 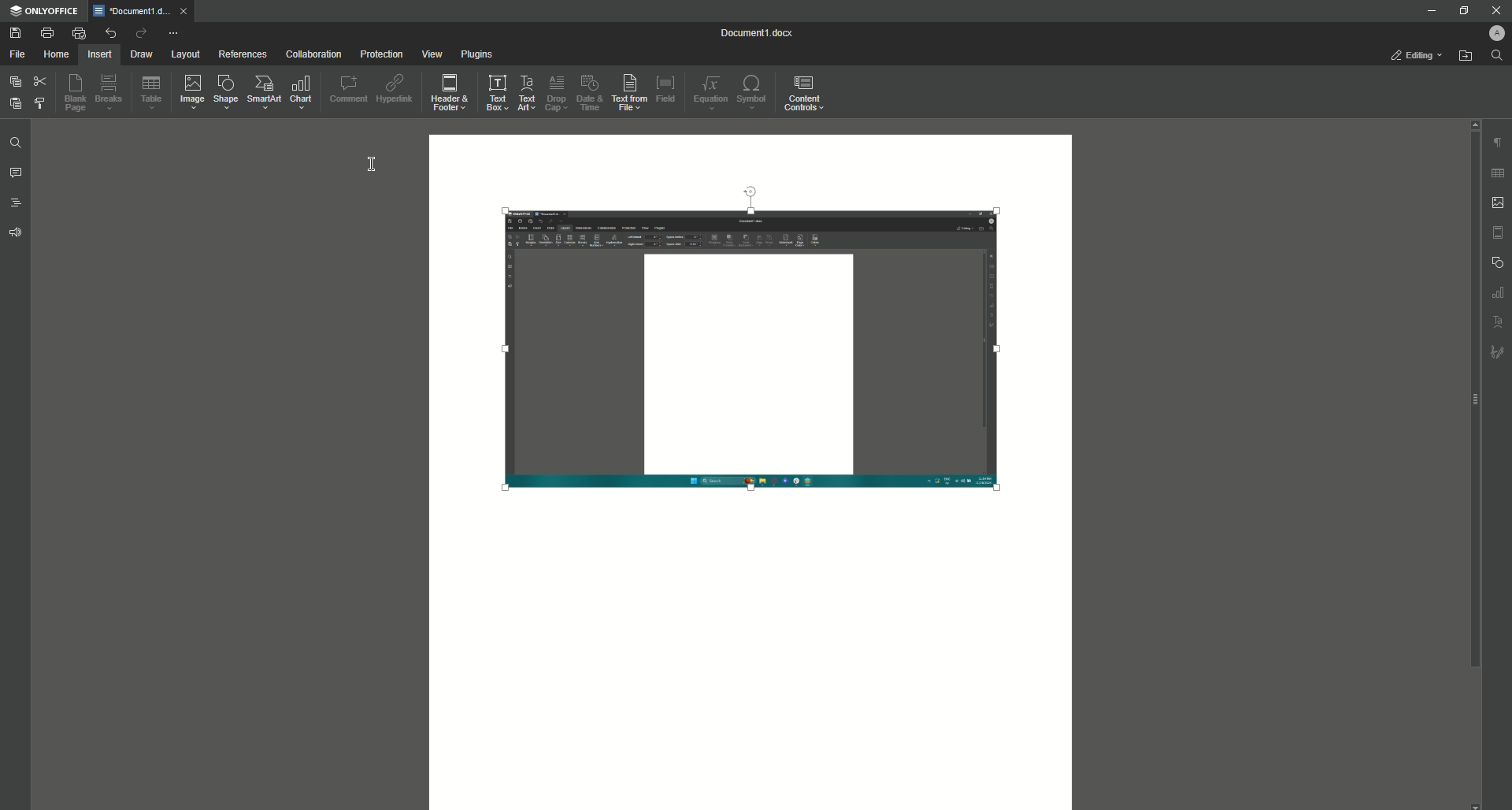 I want to click on Symbol, so click(x=754, y=91).